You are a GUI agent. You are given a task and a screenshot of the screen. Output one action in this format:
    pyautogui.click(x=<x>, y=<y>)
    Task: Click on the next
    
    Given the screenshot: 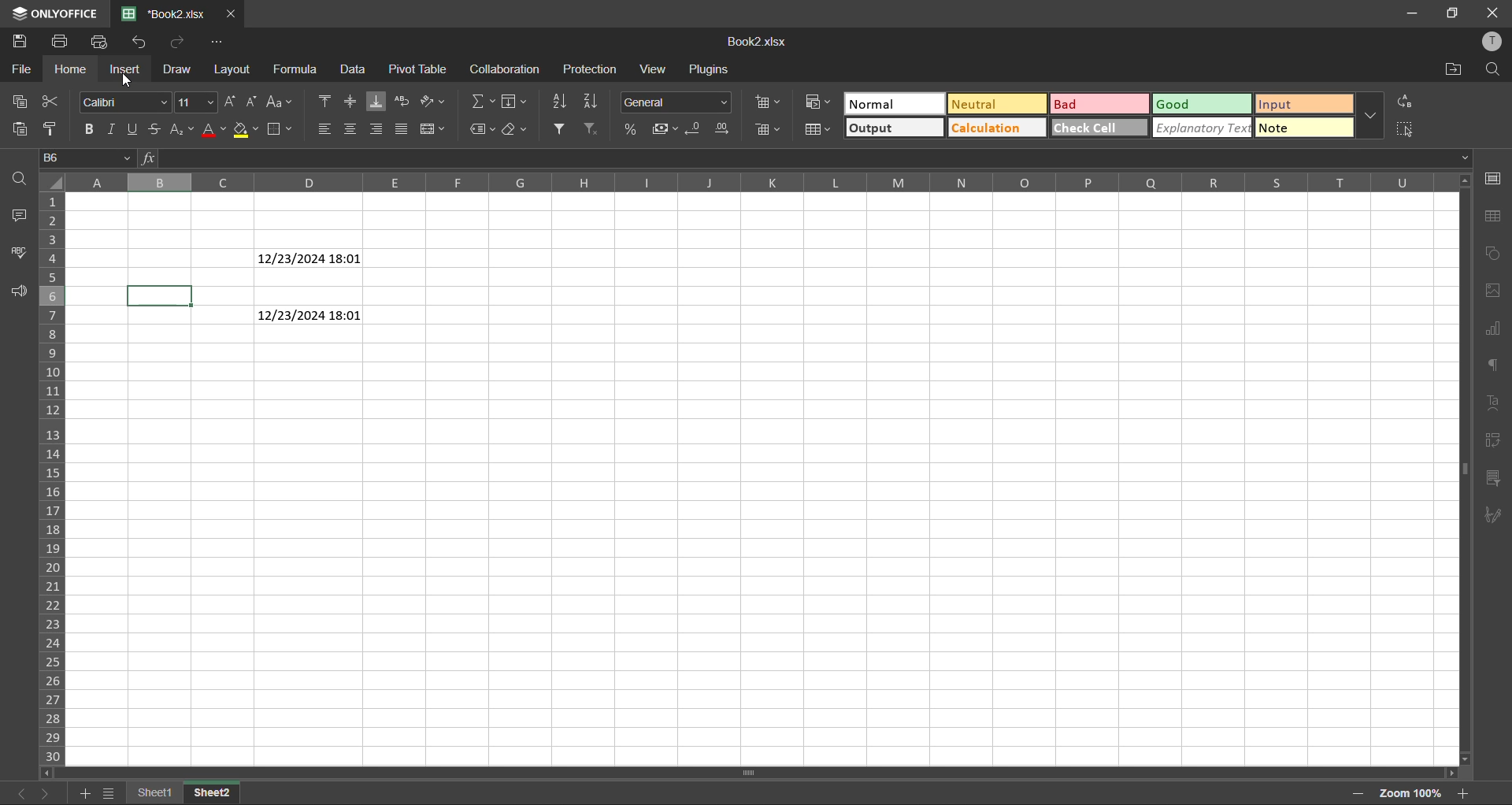 What is the action you would take?
    pyautogui.click(x=46, y=793)
    